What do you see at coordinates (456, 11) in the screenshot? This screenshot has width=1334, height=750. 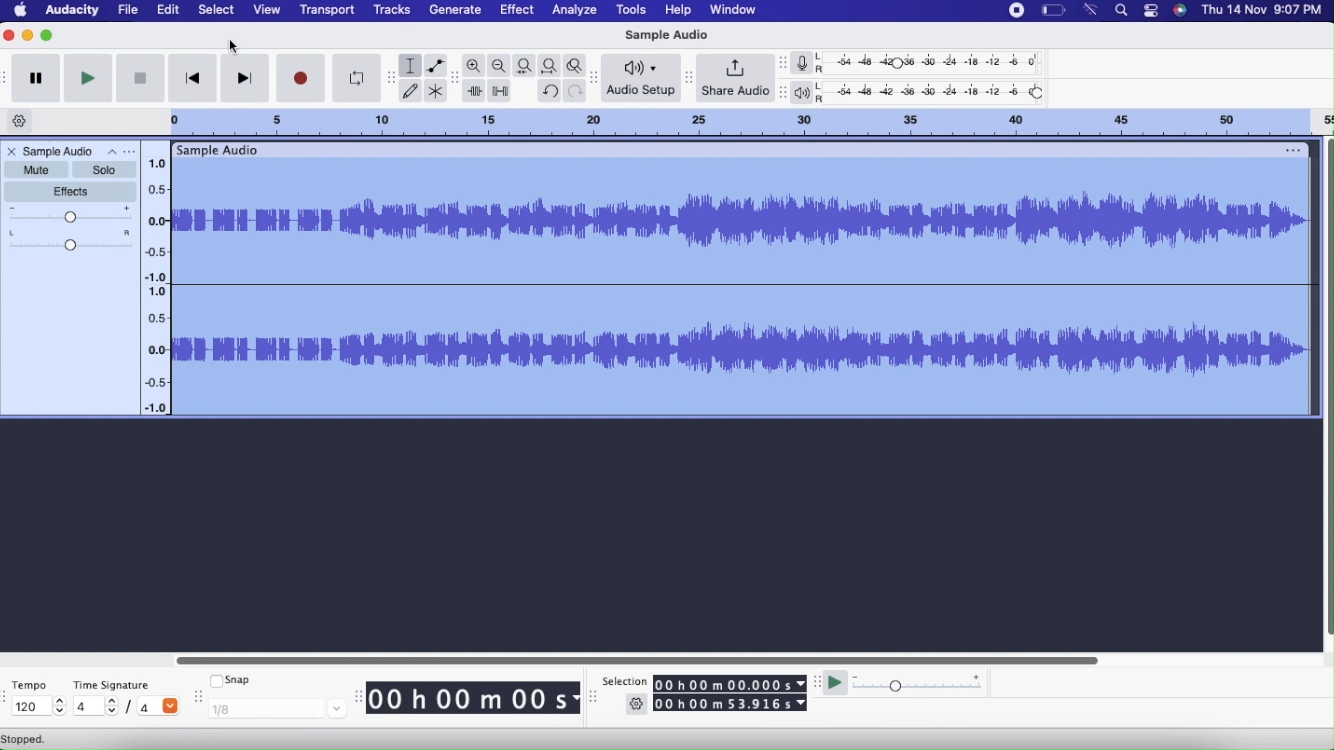 I see `Generate` at bounding box center [456, 11].